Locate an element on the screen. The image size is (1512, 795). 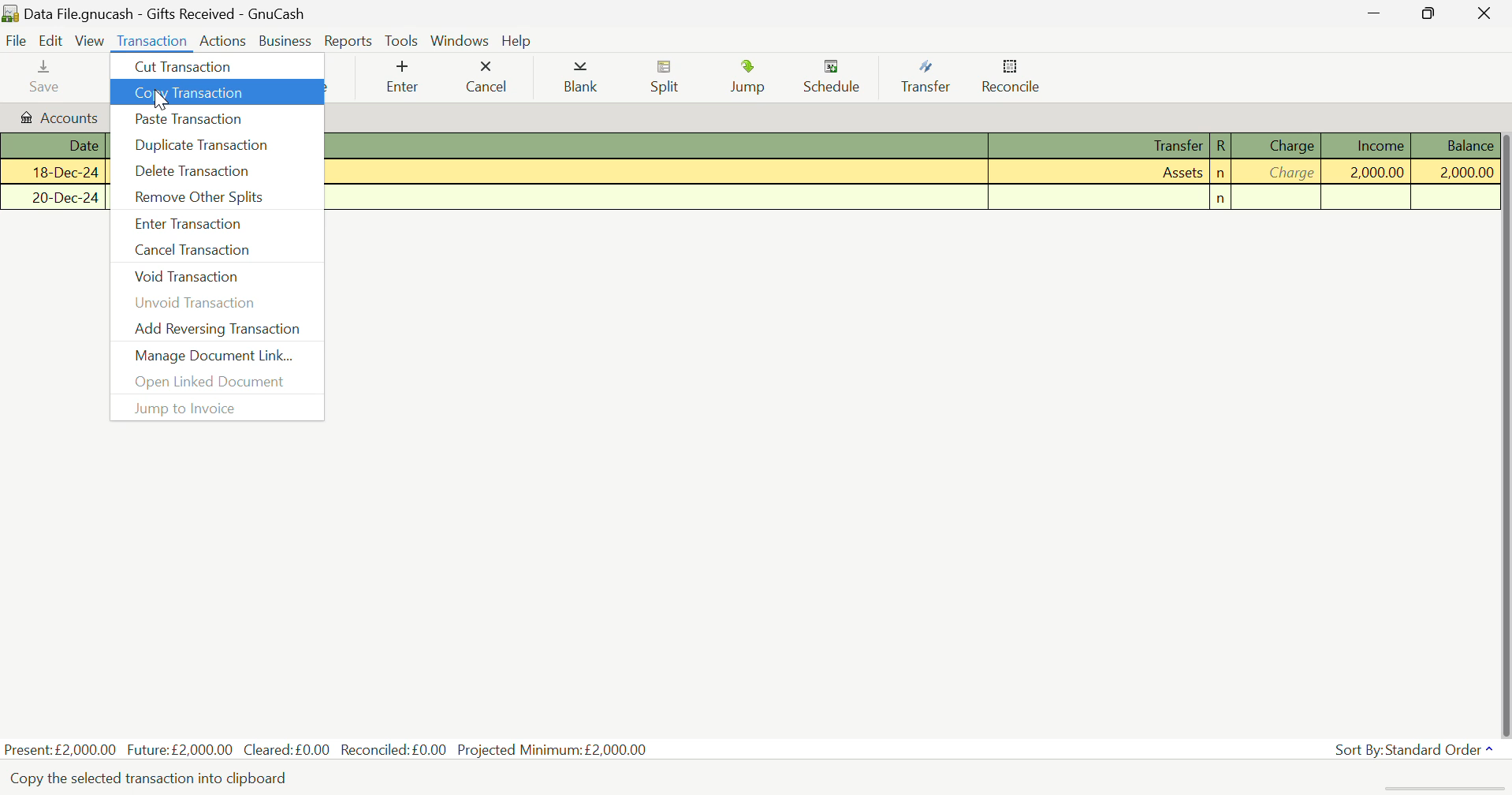
Income is located at coordinates (1369, 172).